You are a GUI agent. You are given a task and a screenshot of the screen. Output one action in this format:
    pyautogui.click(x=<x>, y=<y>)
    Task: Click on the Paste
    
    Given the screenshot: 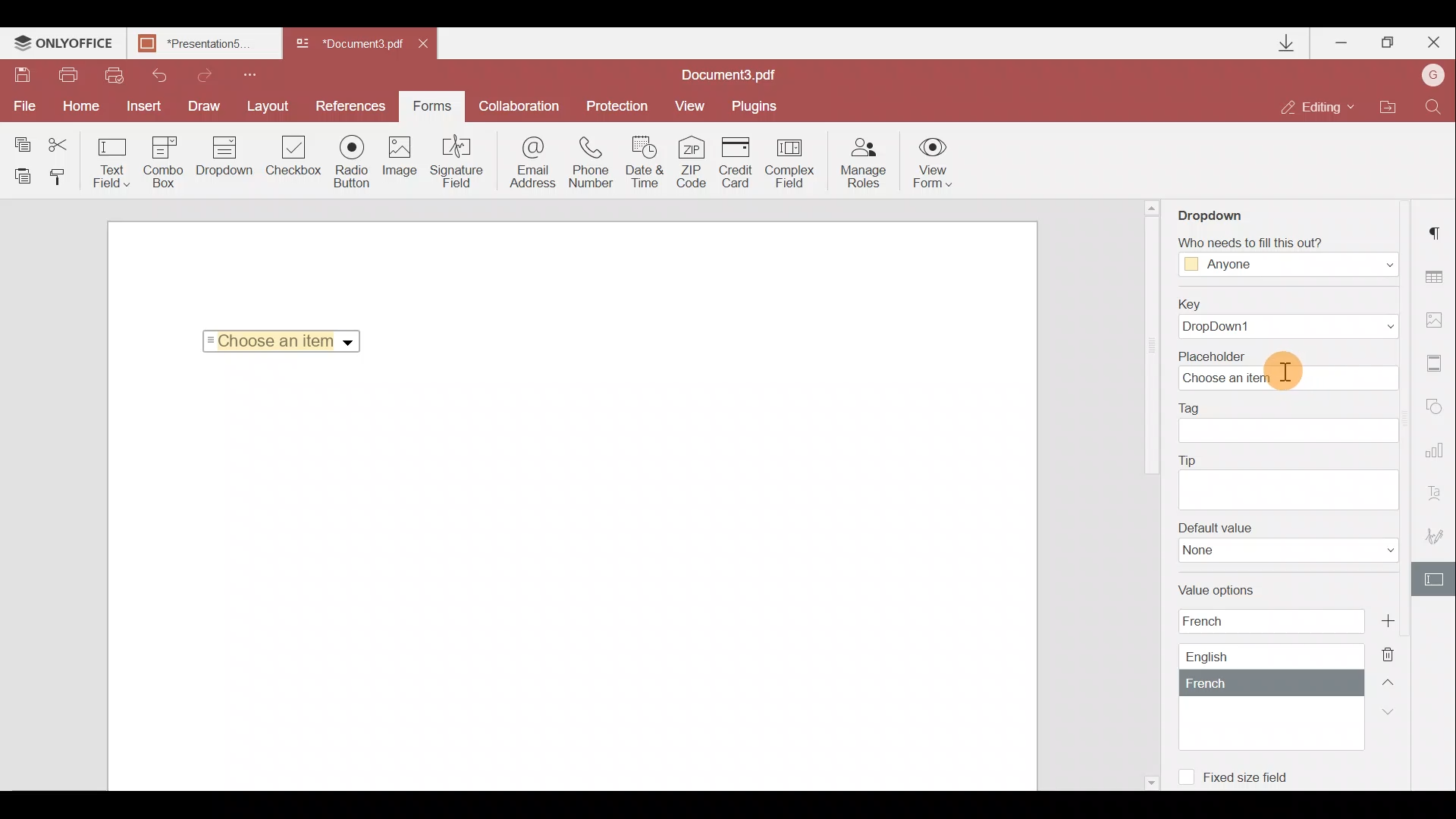 What is the action you would take?
    pyautogui.click(x=23, y=175)
    